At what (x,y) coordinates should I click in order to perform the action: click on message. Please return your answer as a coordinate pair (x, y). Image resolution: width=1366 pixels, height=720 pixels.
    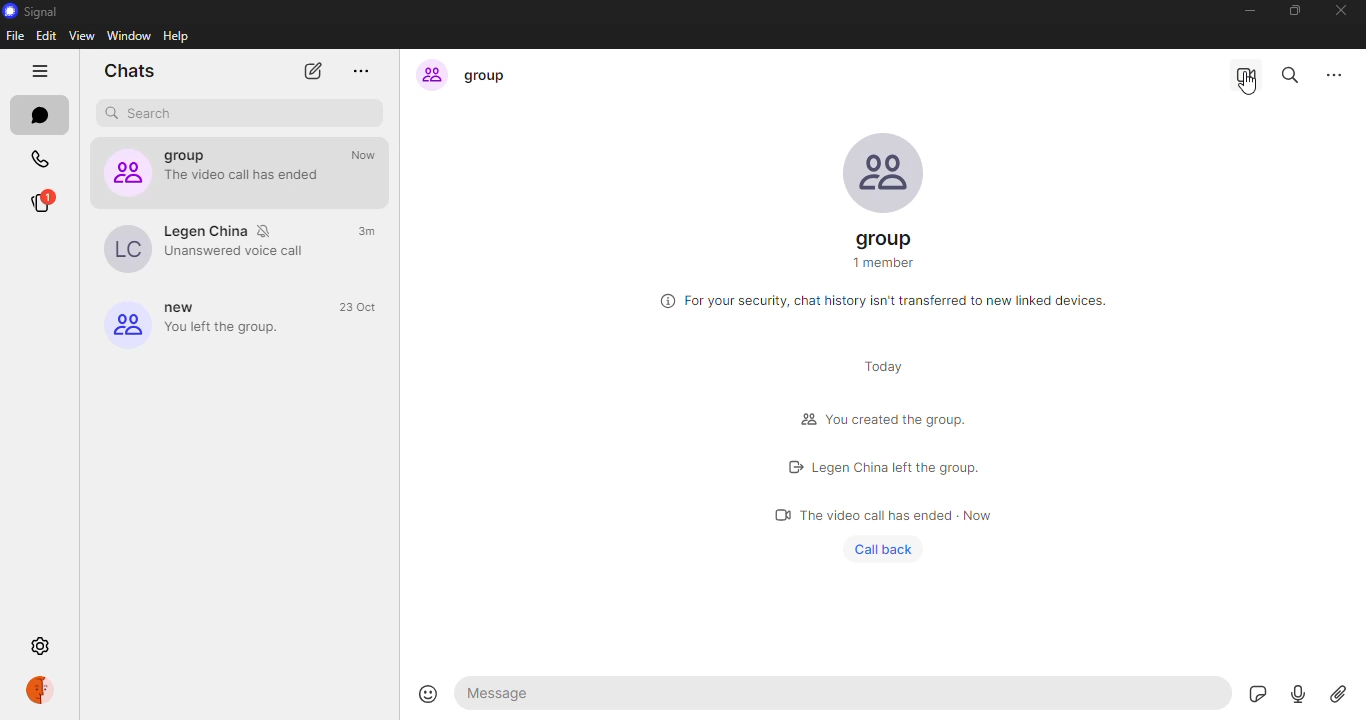
    Looking at the image, I should click on (503, 693).